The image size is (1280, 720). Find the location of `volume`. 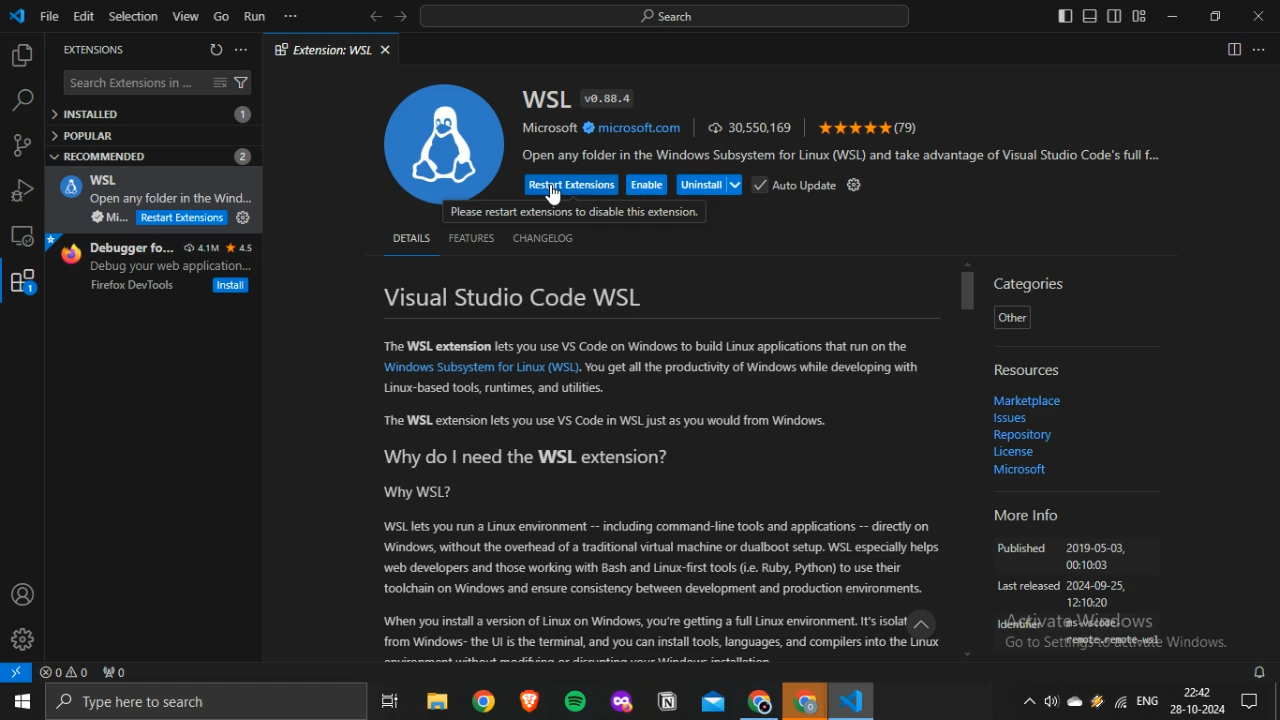

volume is located at coordinates (1051, 701).